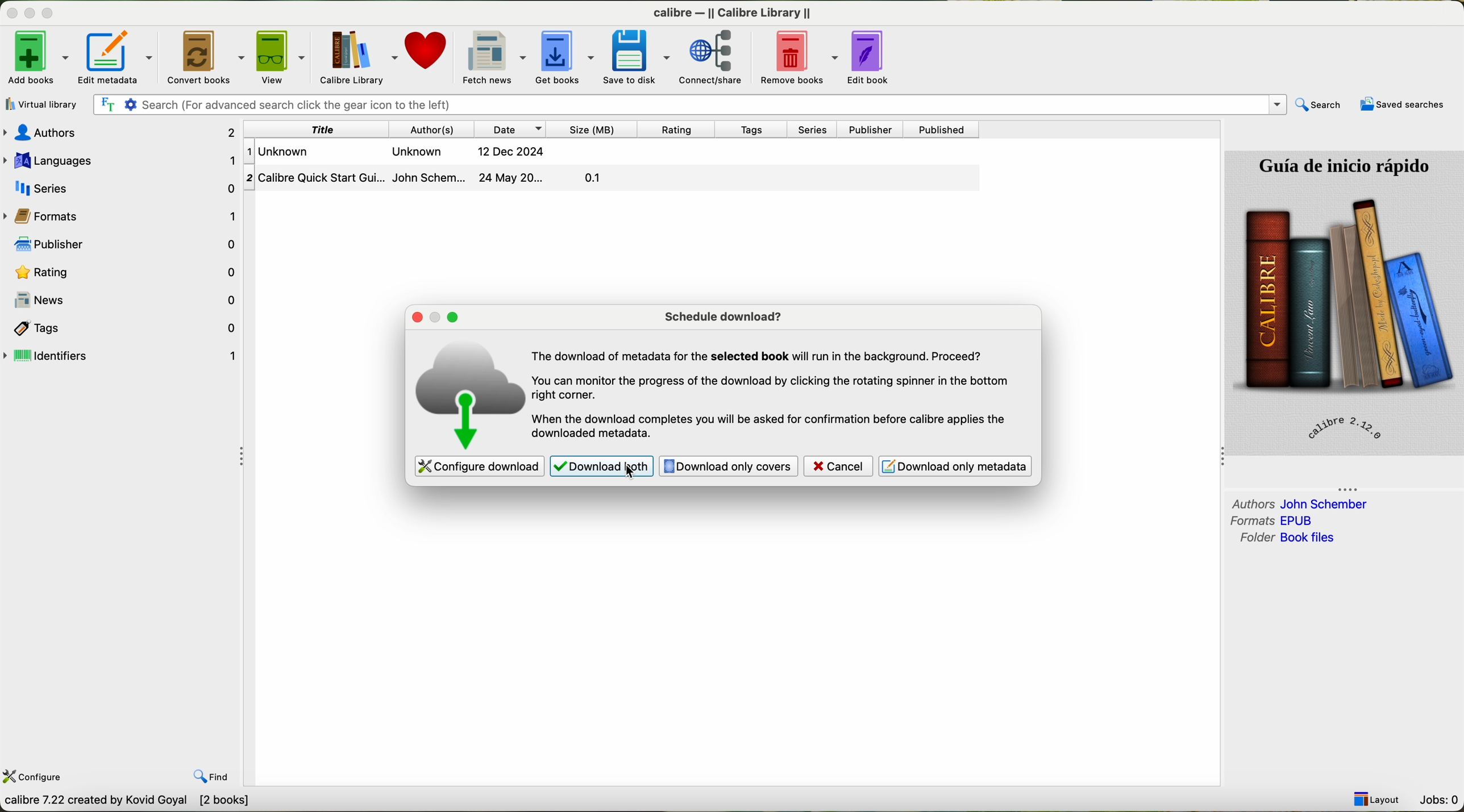 This screenshot has width=1464, height=812. Describe the element at coordinates (675, 130) in the screenshot. I see `rating` at that location.